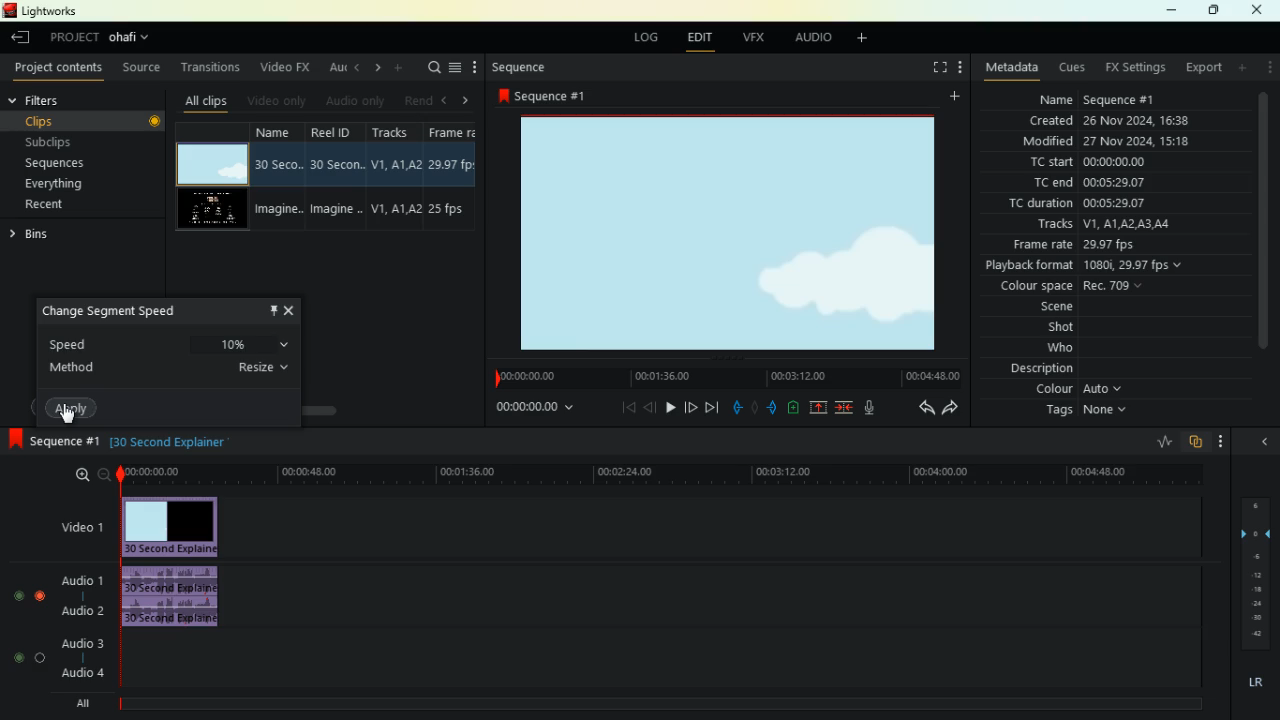 Image resolution: width=1280 pixels, height=720 pixels. What do you see at coordinates (61, 184) in the screenshot?
I see `everything` at bounding box center [61, 184].